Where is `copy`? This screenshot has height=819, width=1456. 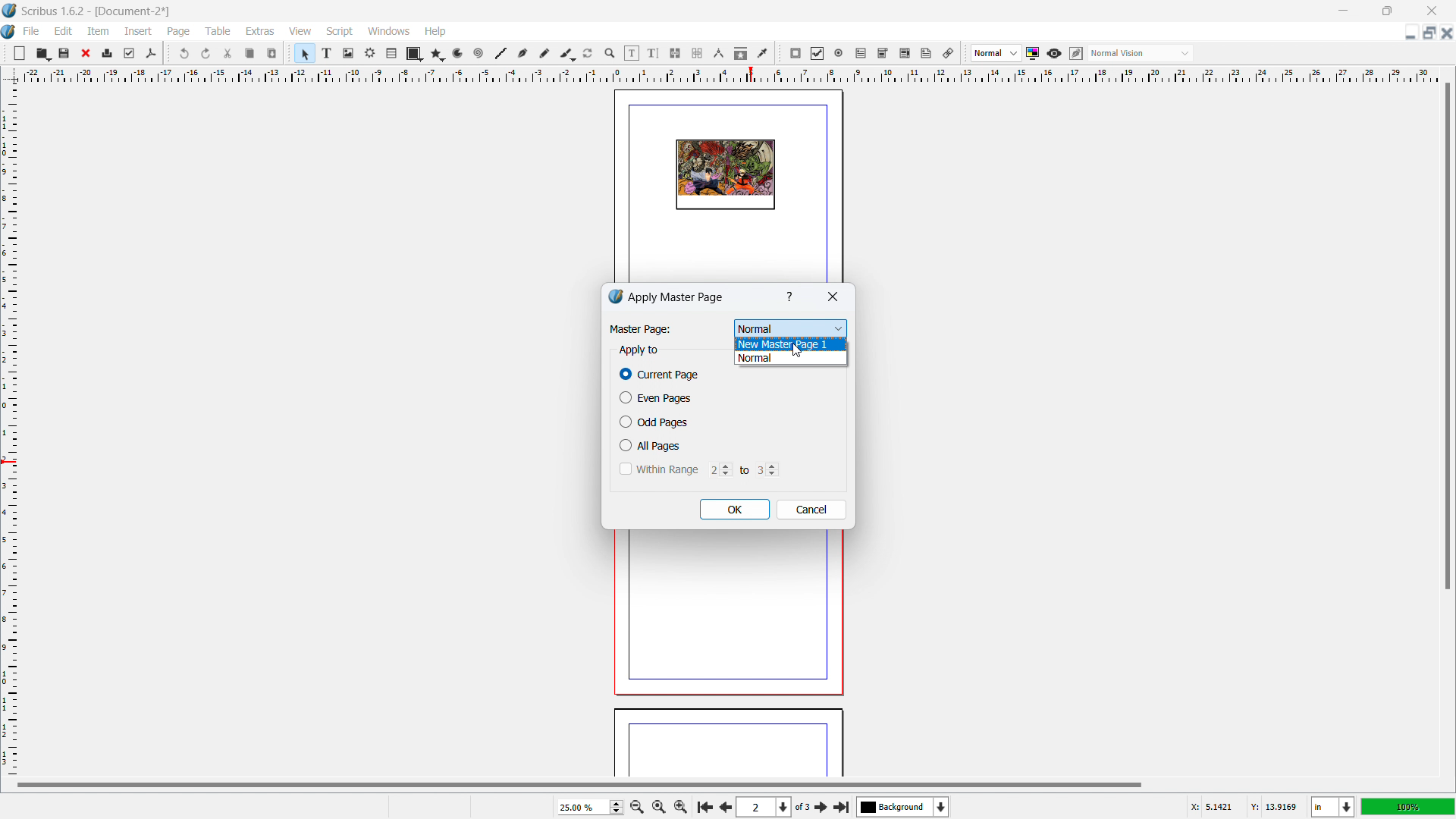 copy is located at coordinates (251, 53).